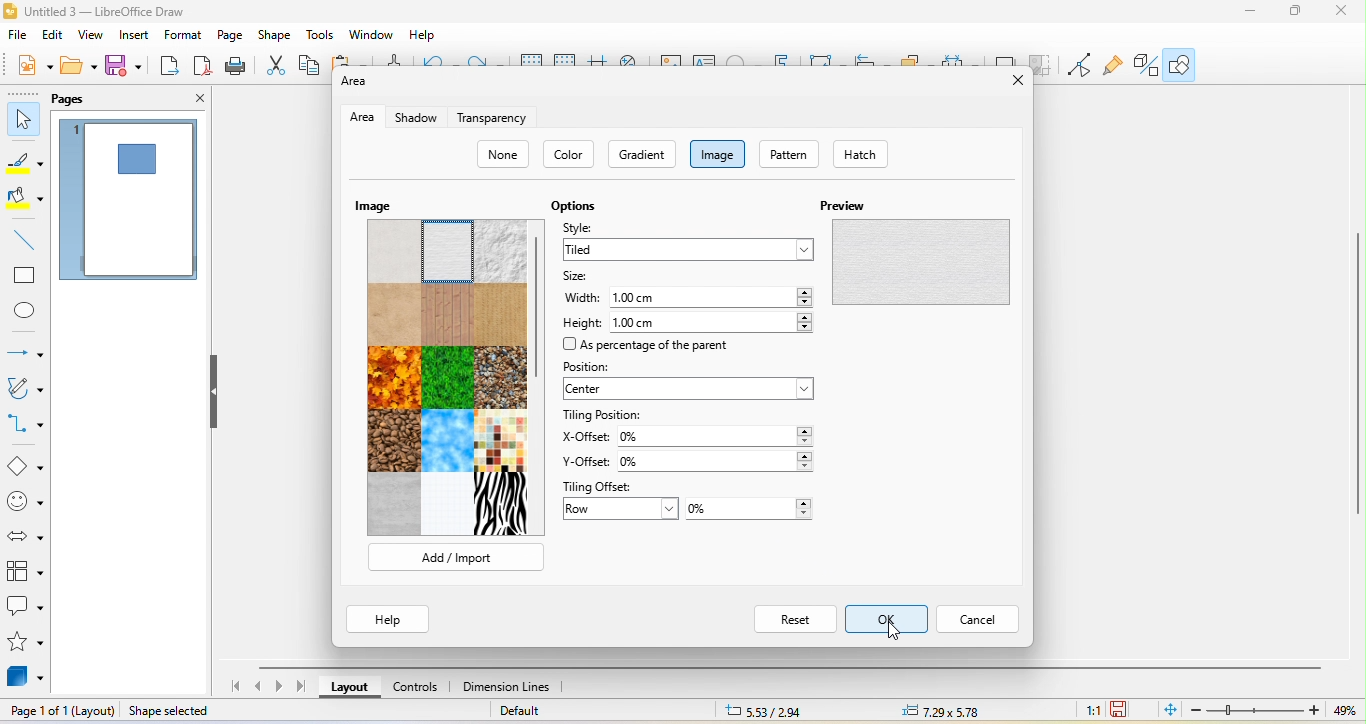  What do you see at coordinates (25, 348) in the screenshot?
I see `lines and arrow` at bounding box center [25, 348].